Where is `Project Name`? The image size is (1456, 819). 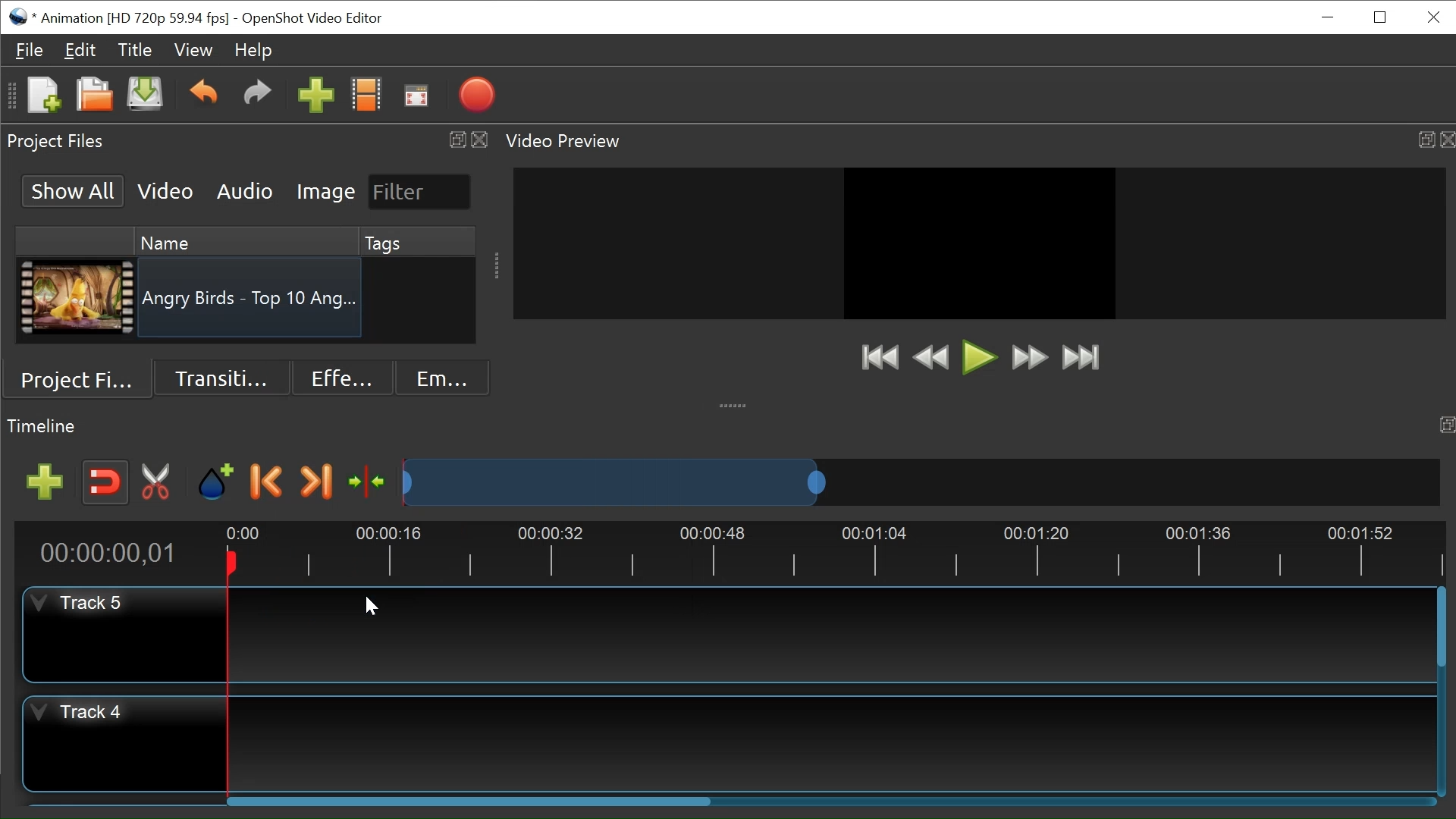 Project Name is located at coordinates (134, 19).